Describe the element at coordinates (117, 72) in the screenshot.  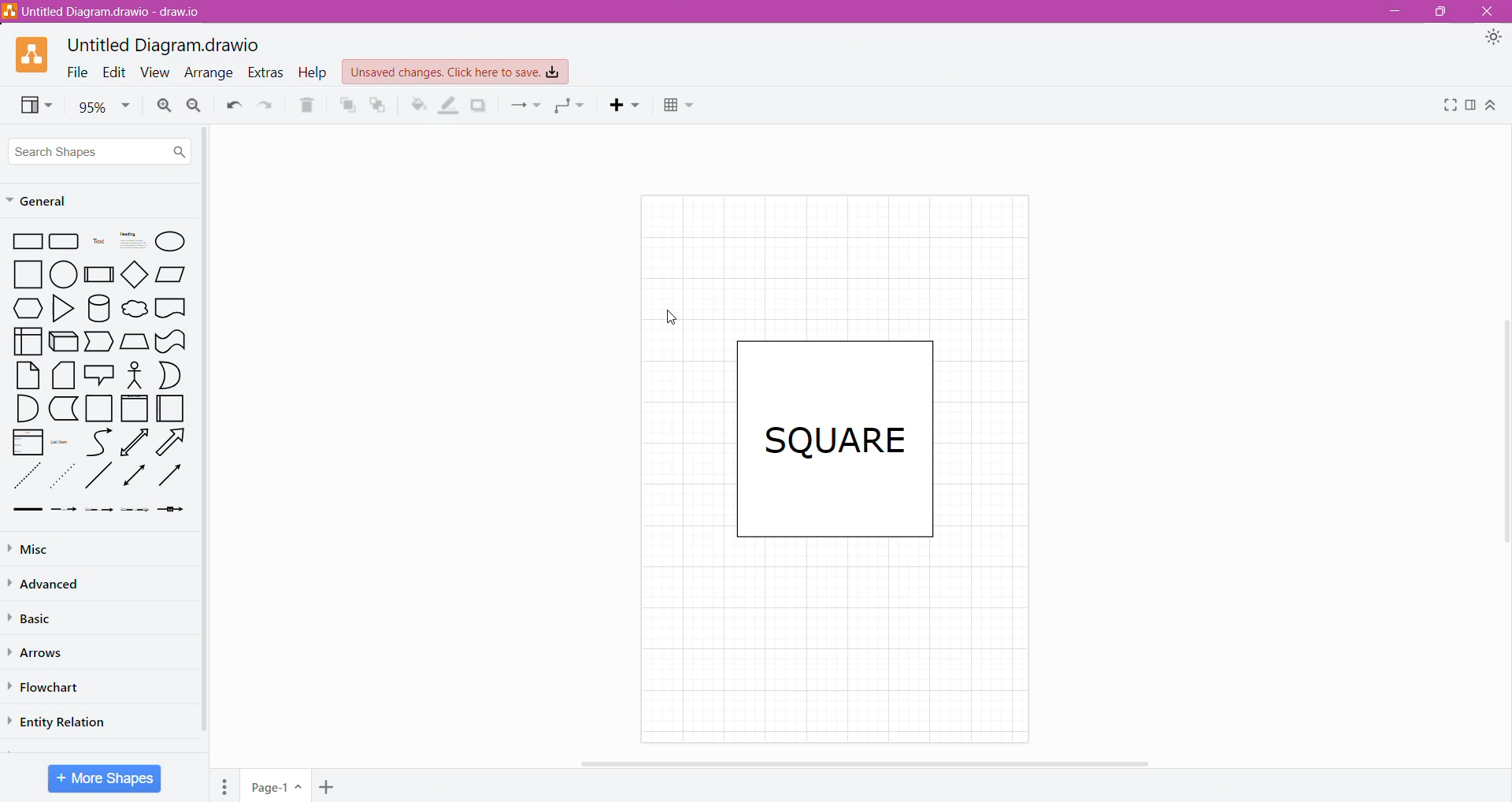
I see `Edit` at that location.